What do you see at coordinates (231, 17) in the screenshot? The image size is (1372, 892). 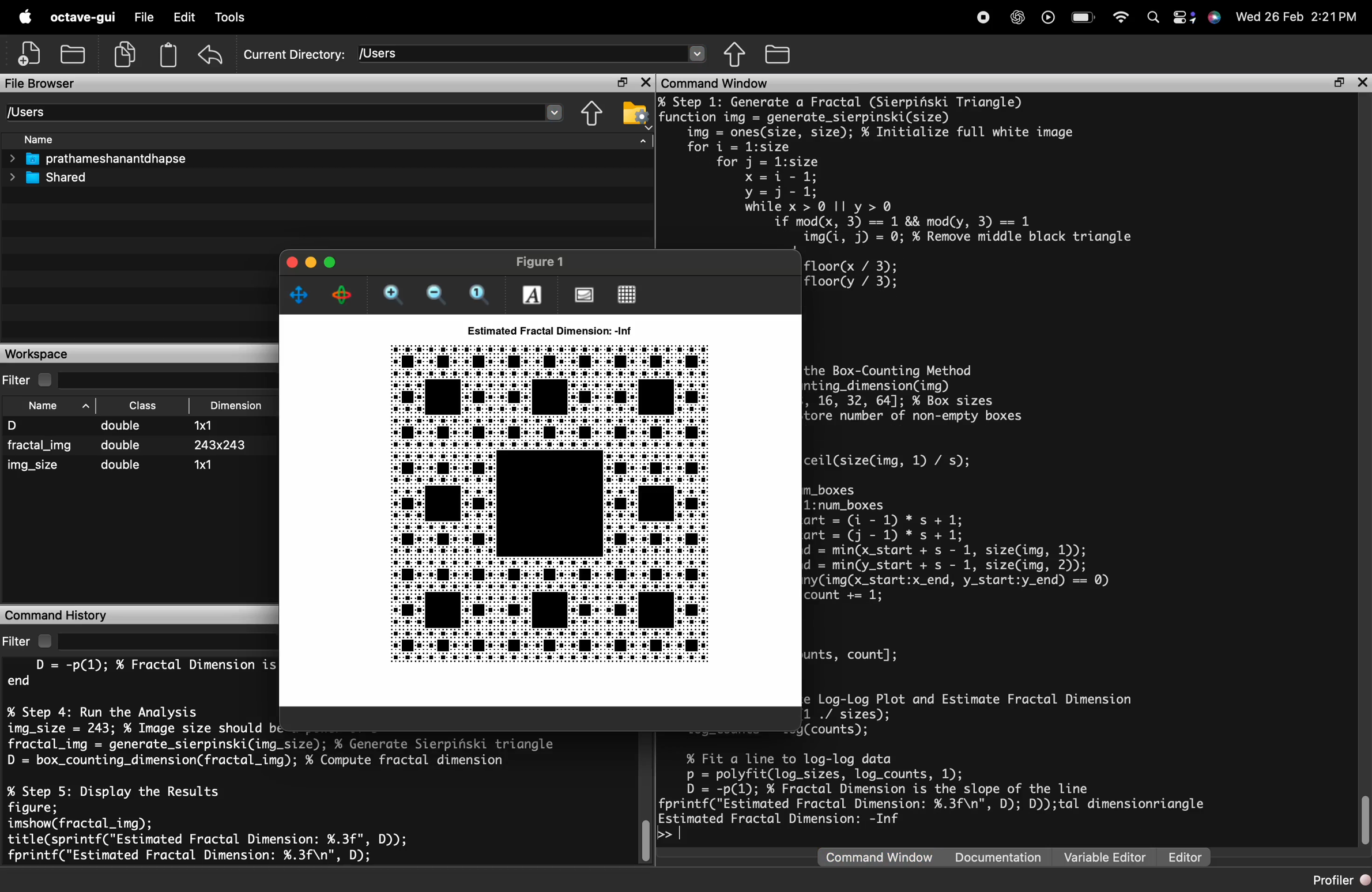 I see `Debug` at bounding box center [231, 17].